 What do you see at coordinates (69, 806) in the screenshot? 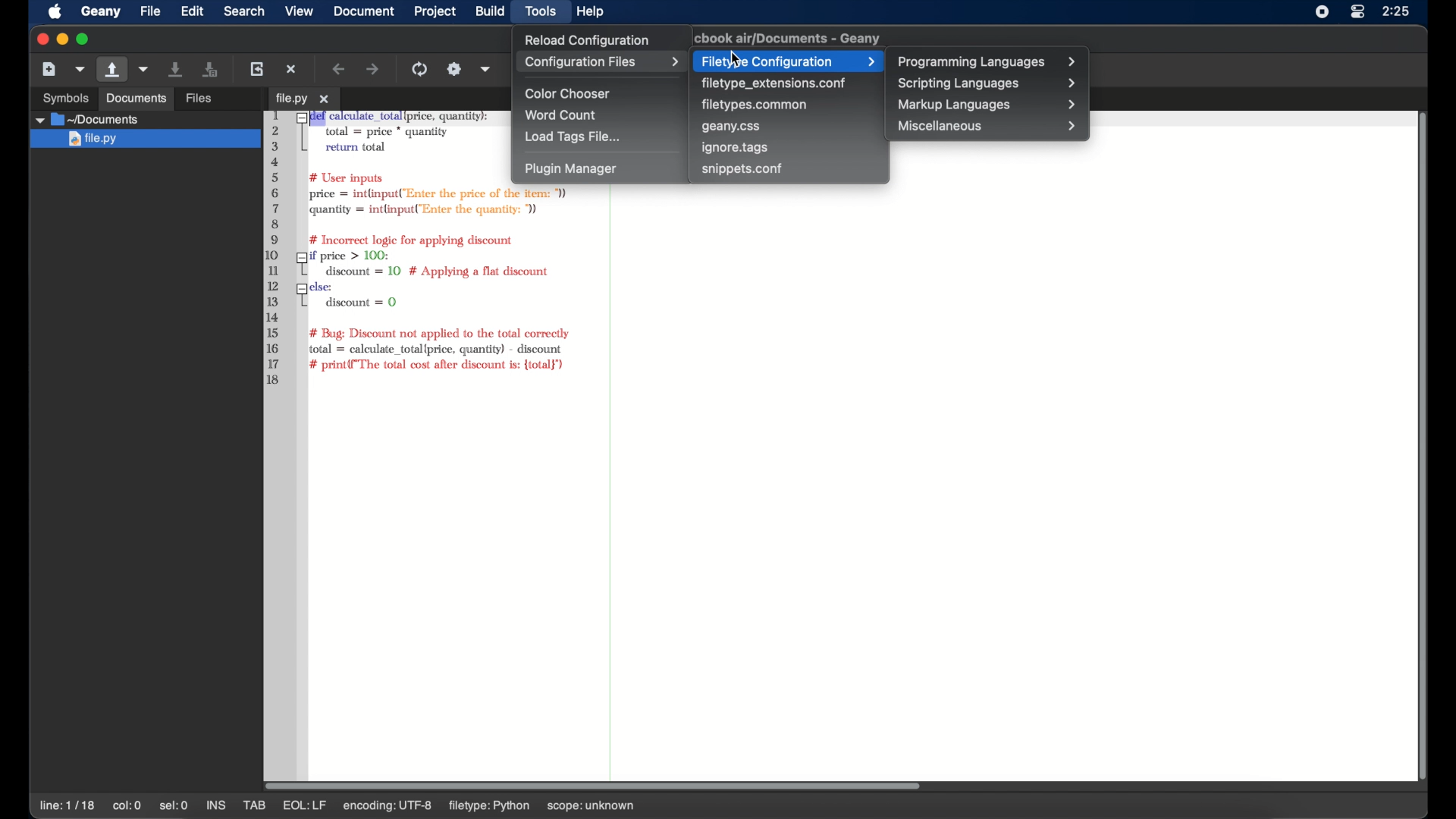
I see `line: 17/18` at bounding box center [69, 806].